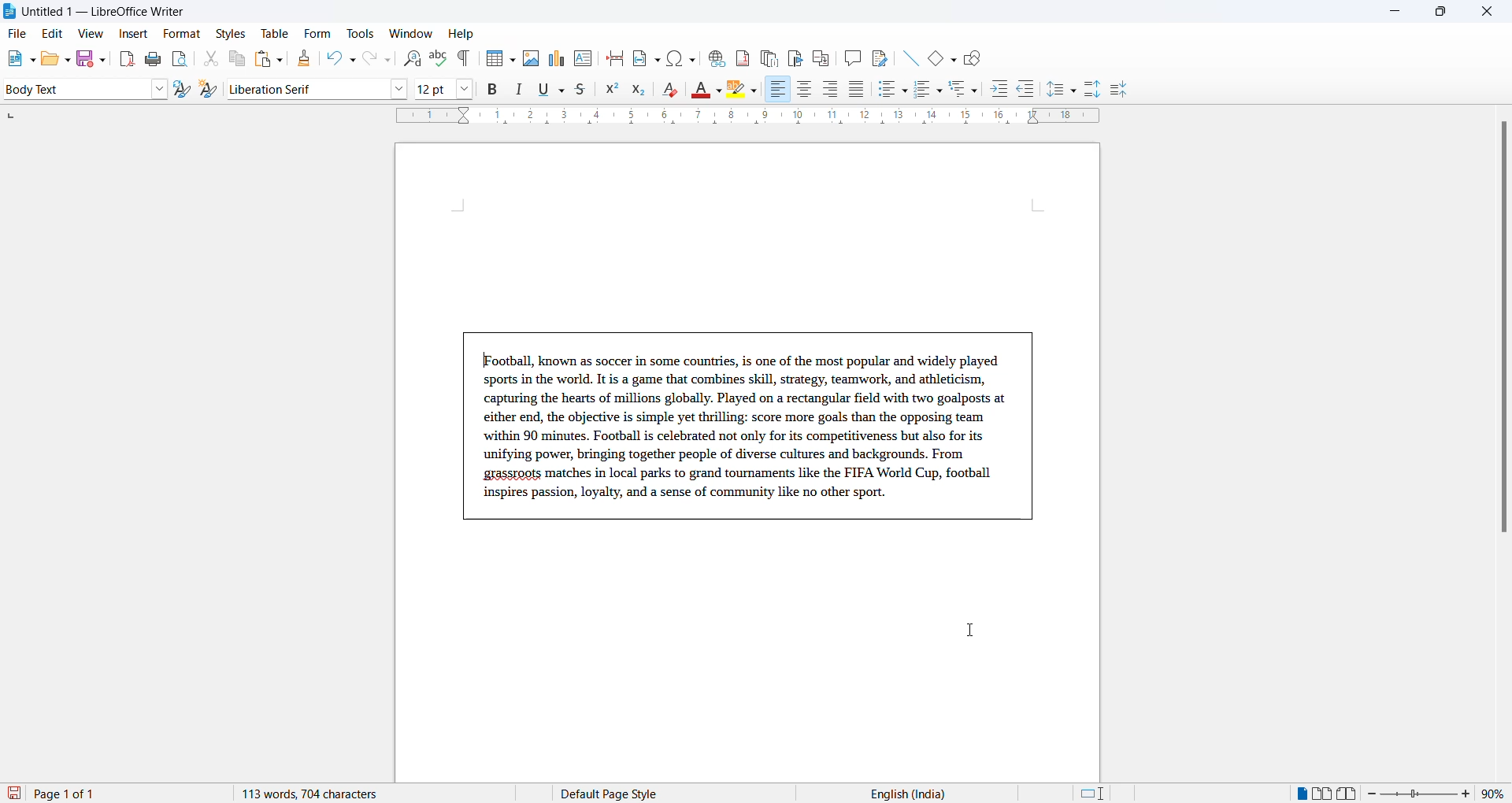 The width and height of the screenshot is (1512, 803). What do you see at coordinates (1440, 13) in the screenshot?
I see `maximize` at bounding box center [1440, 13].